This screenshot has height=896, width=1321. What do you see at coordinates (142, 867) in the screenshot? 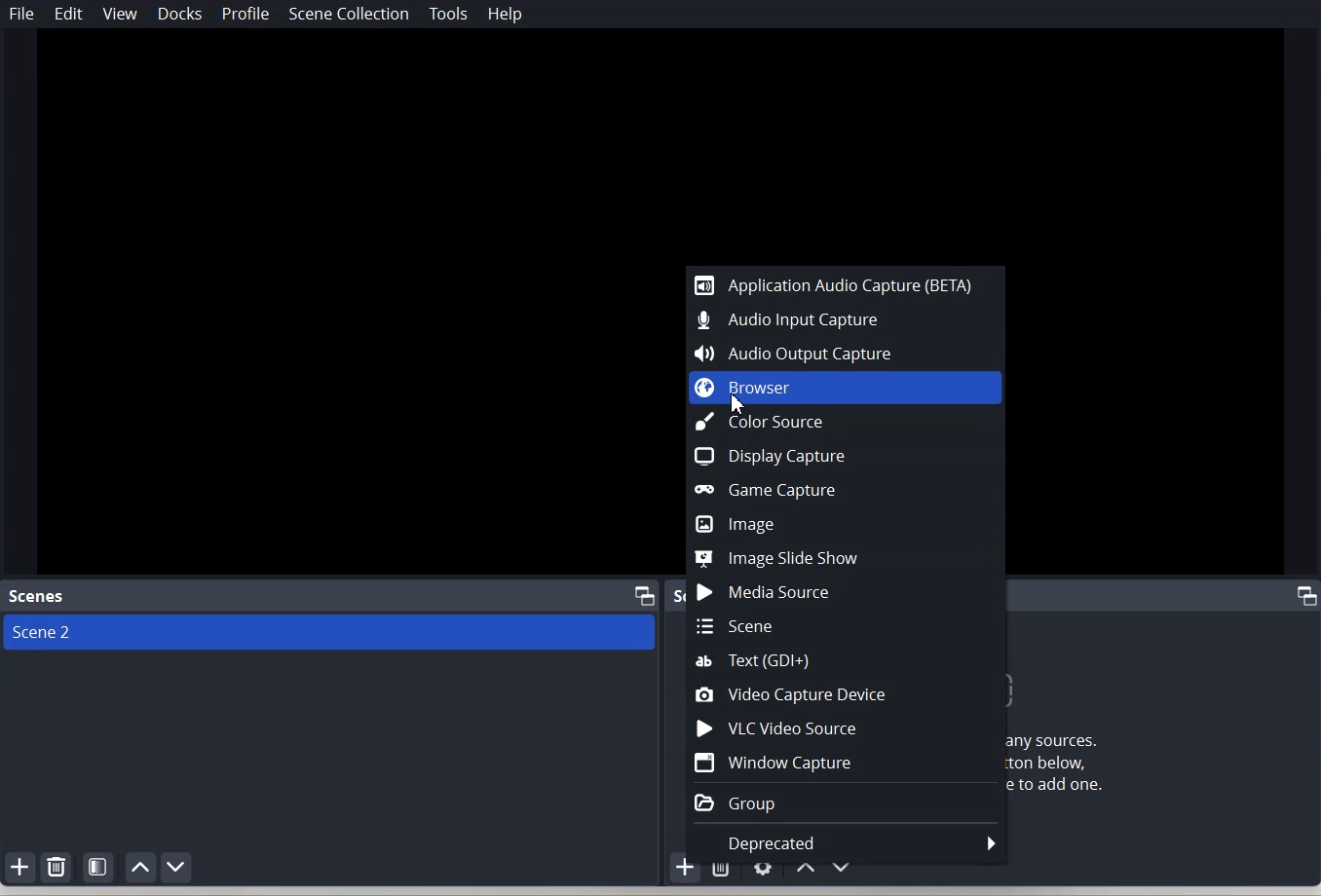
I see `Move scene up` at bounding box center [142, 867].